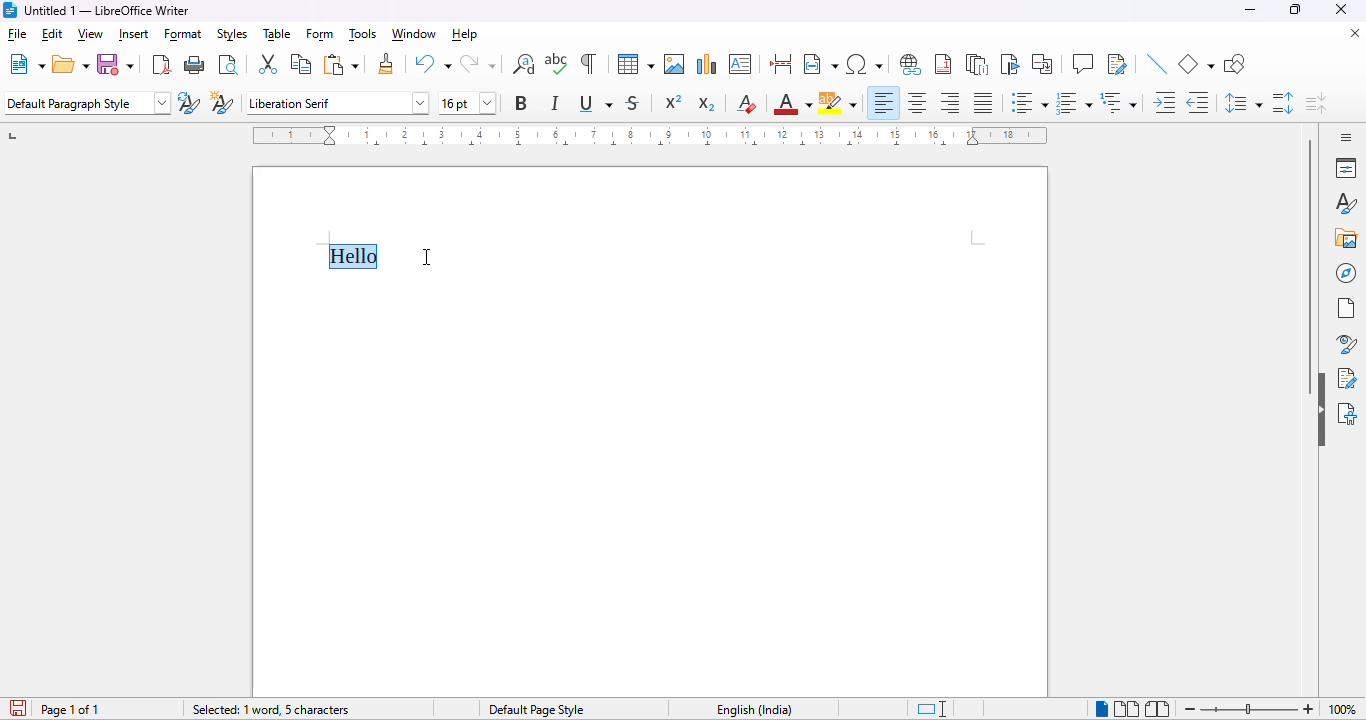  What do you see at coordinates (839, 104) in the screenshot?
I see `character highlighting color` at bounding box center [839, 104].